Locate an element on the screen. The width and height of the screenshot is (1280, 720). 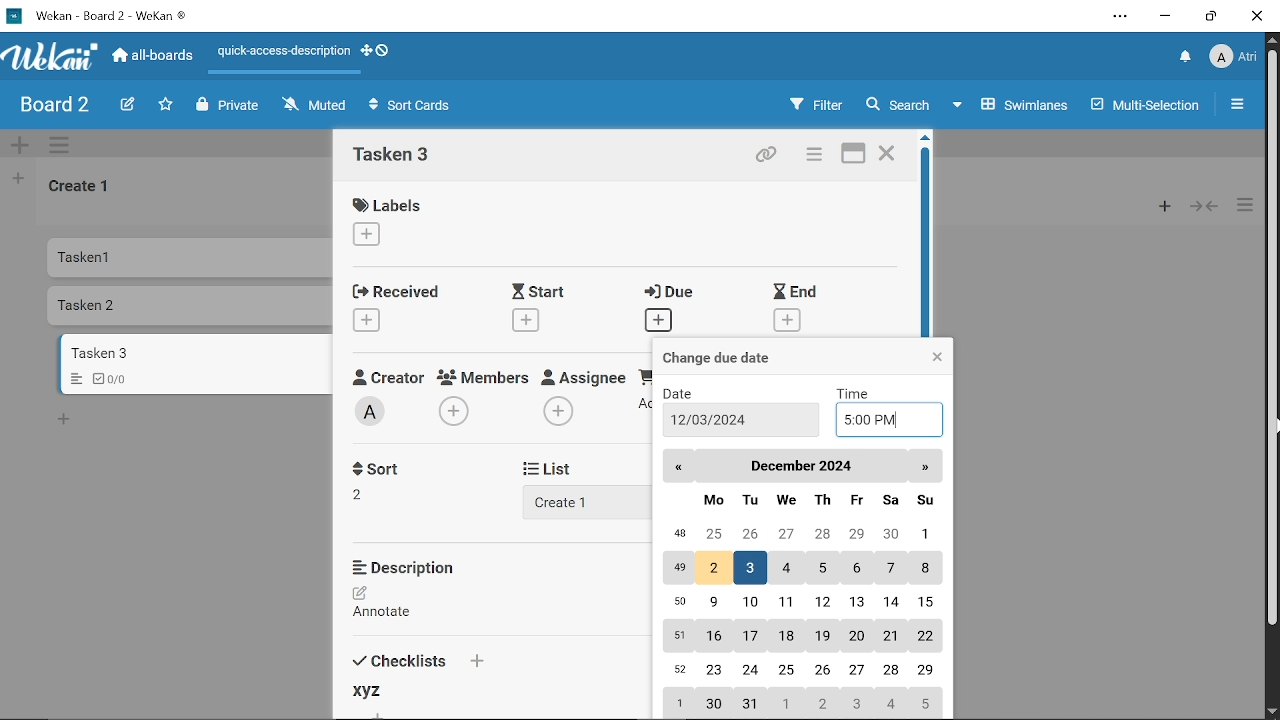
Add card to the top of the list is located at coordinates (1159, 206).